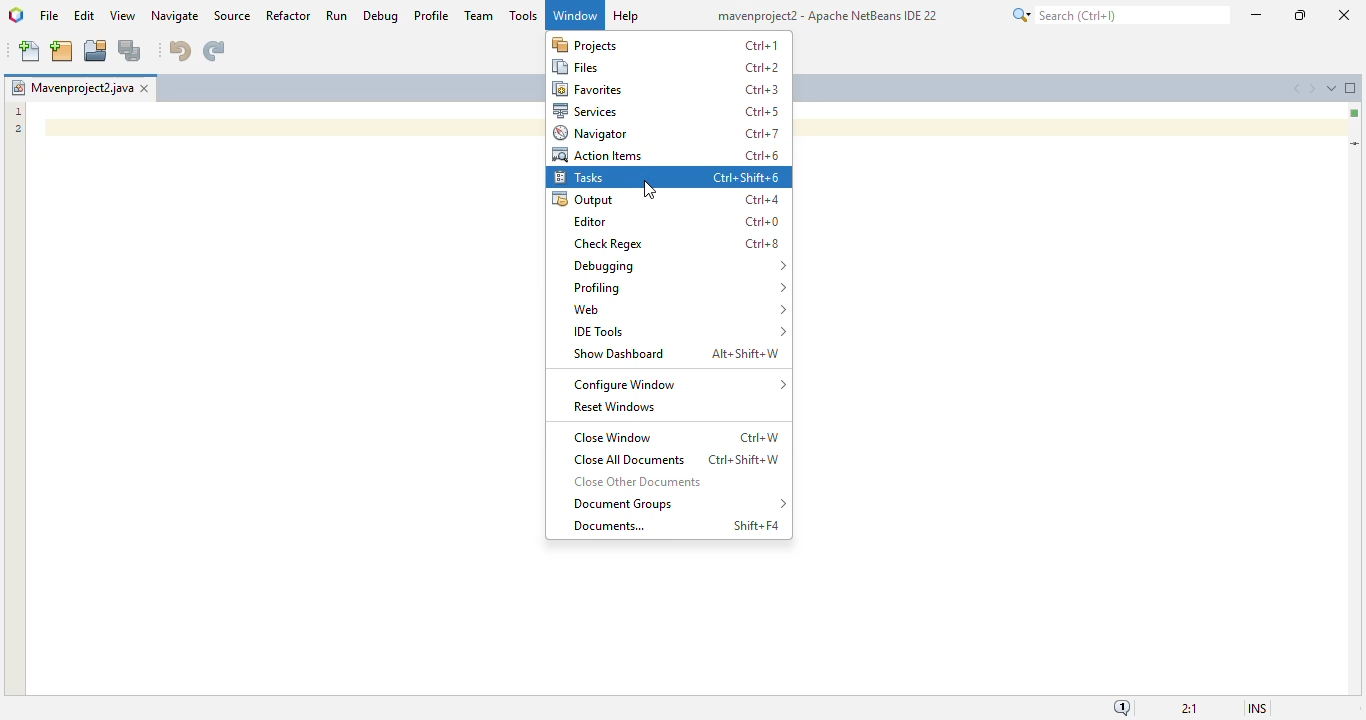 The width and height of the screenshot is (1366, 720). I want to click on close window, so click(144, 88).